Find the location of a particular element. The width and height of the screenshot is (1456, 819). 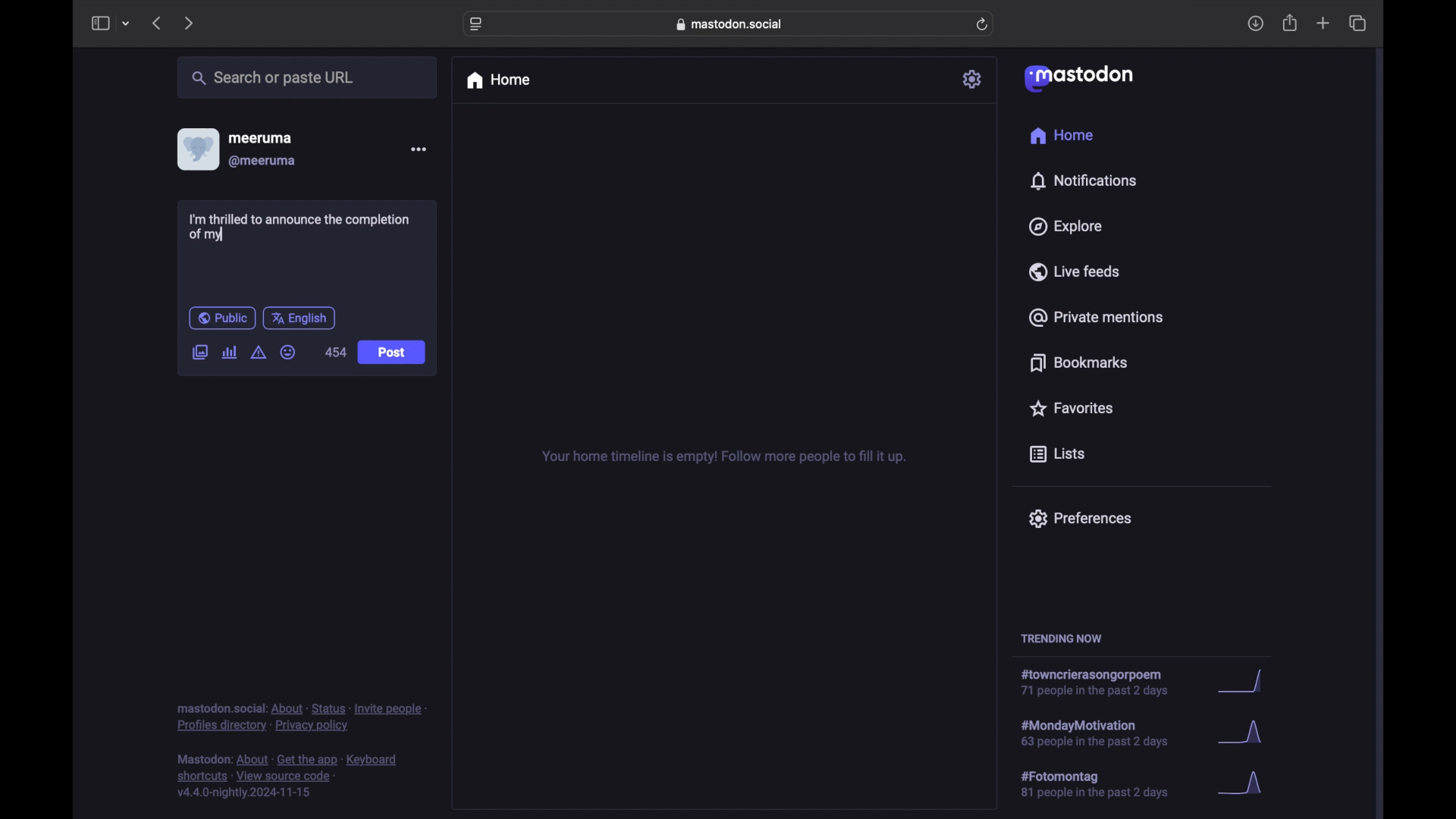

text cursor is located at coordinates (227, 234).